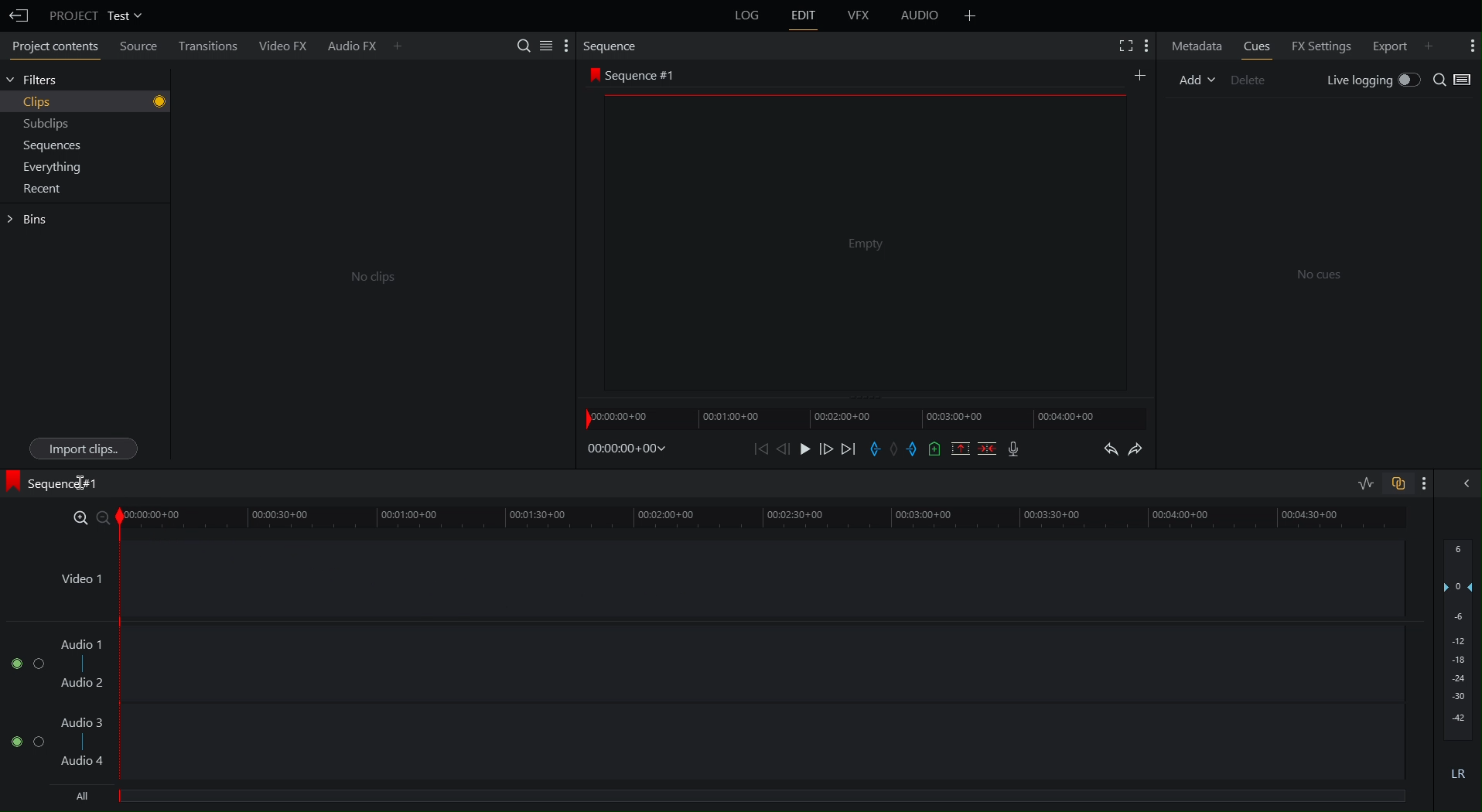 This screenshot has width=1482, height=812. Describe the element at coordinates (767, 515) in the screenshot. I see `Timeline` at that location.